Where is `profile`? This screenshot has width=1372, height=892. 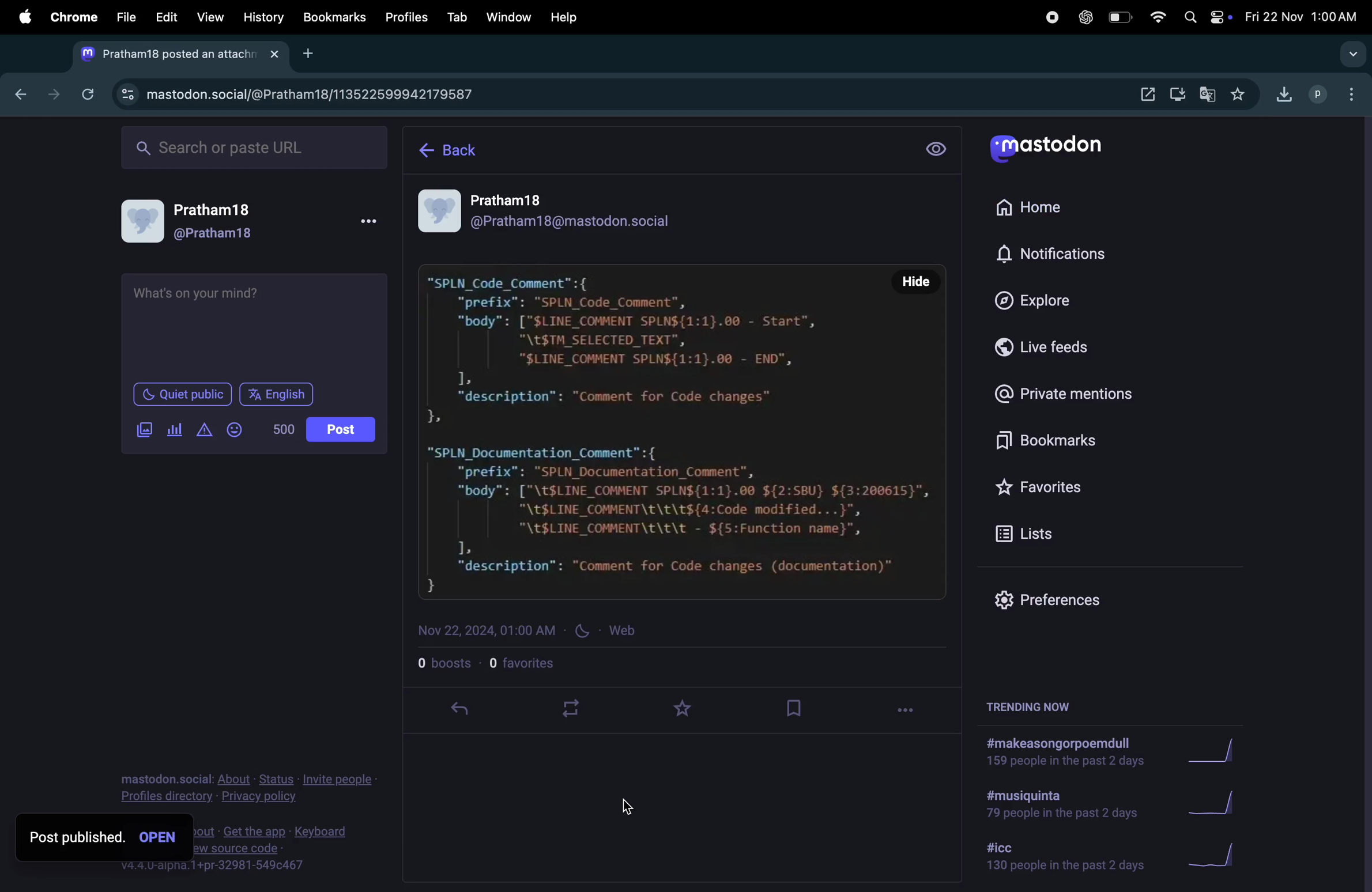
profile is located at coordinates (1312, 95).